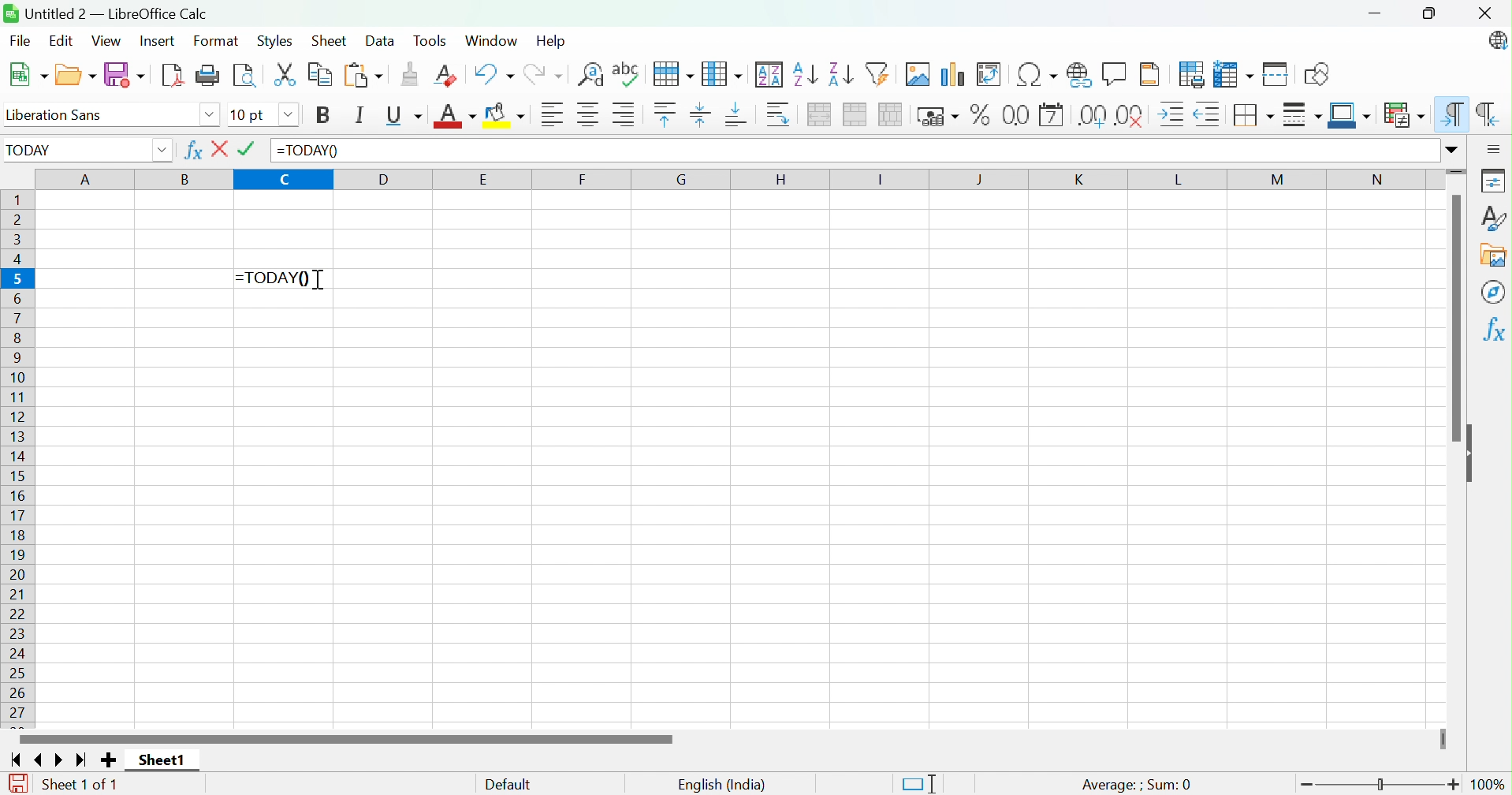 This screenshot has width=1512, height=795. Describe the element at coordinates (62, 43) in the screenshot. I see `Edit` at that location.